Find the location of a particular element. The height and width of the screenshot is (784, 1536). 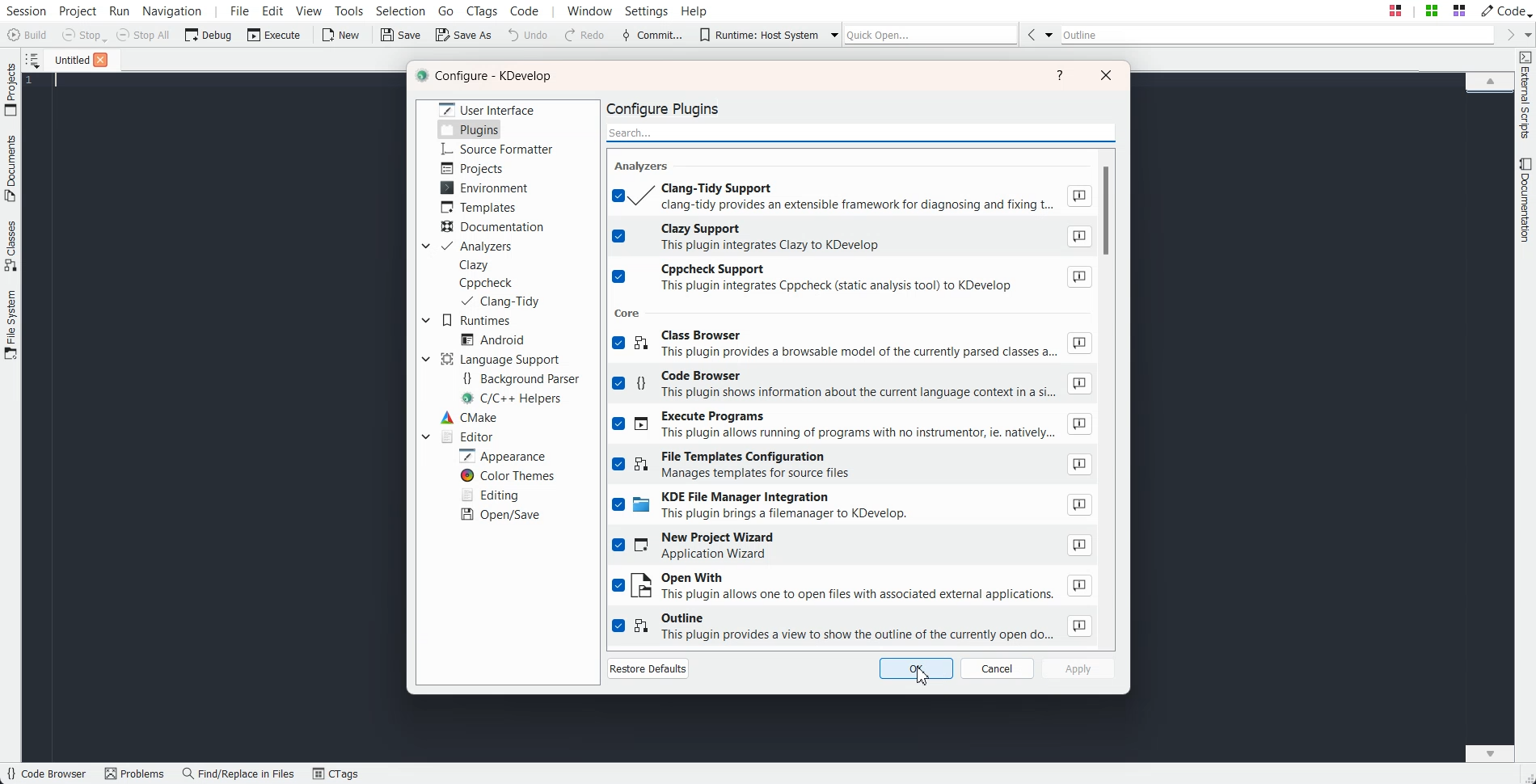

Documentation is located at coordinates (1526, 200).